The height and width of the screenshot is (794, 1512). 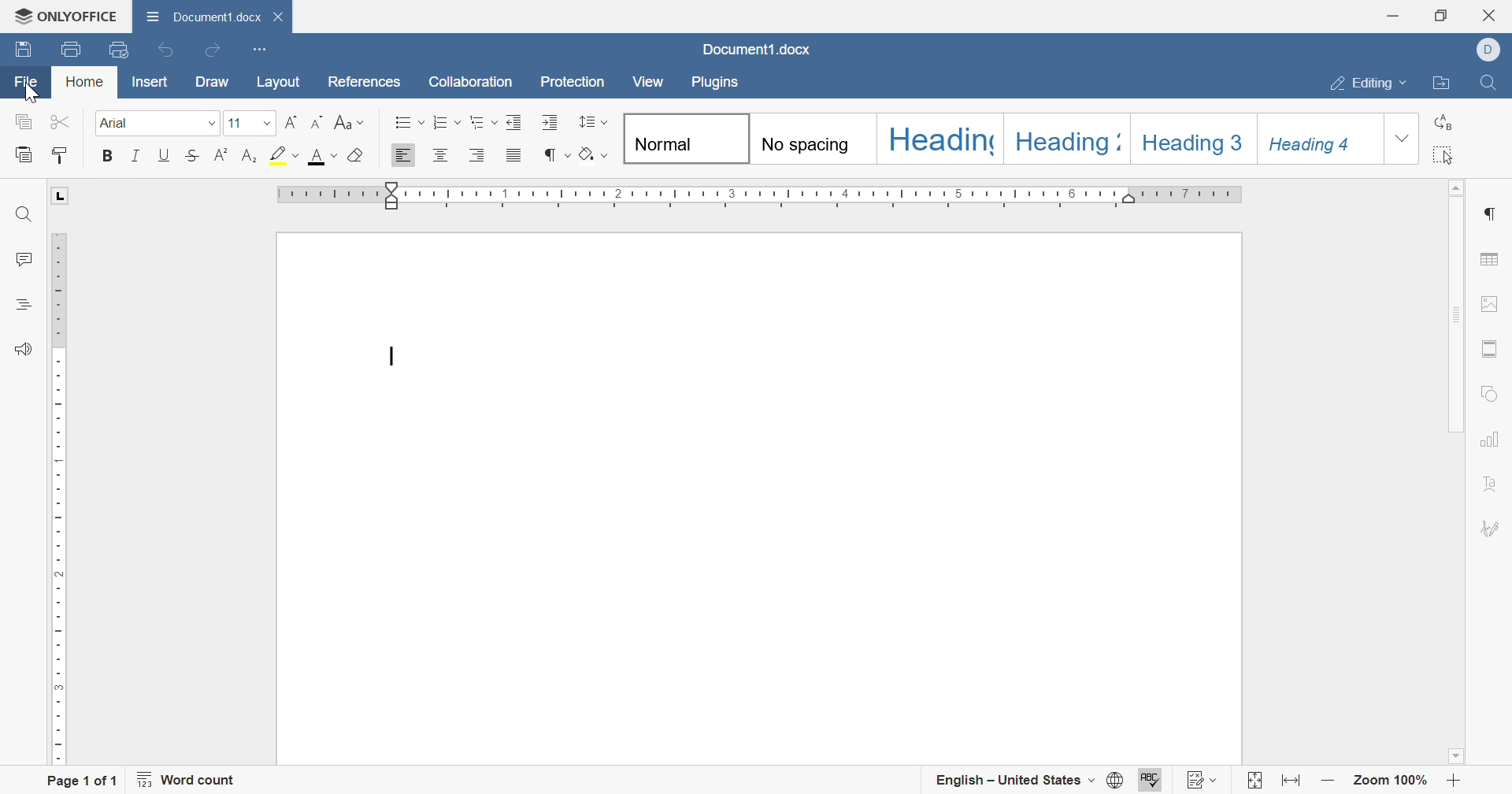 What do you see at coordinates (139, 158) in the screenshot?
I see `italic` at bounding box center [139, 158].